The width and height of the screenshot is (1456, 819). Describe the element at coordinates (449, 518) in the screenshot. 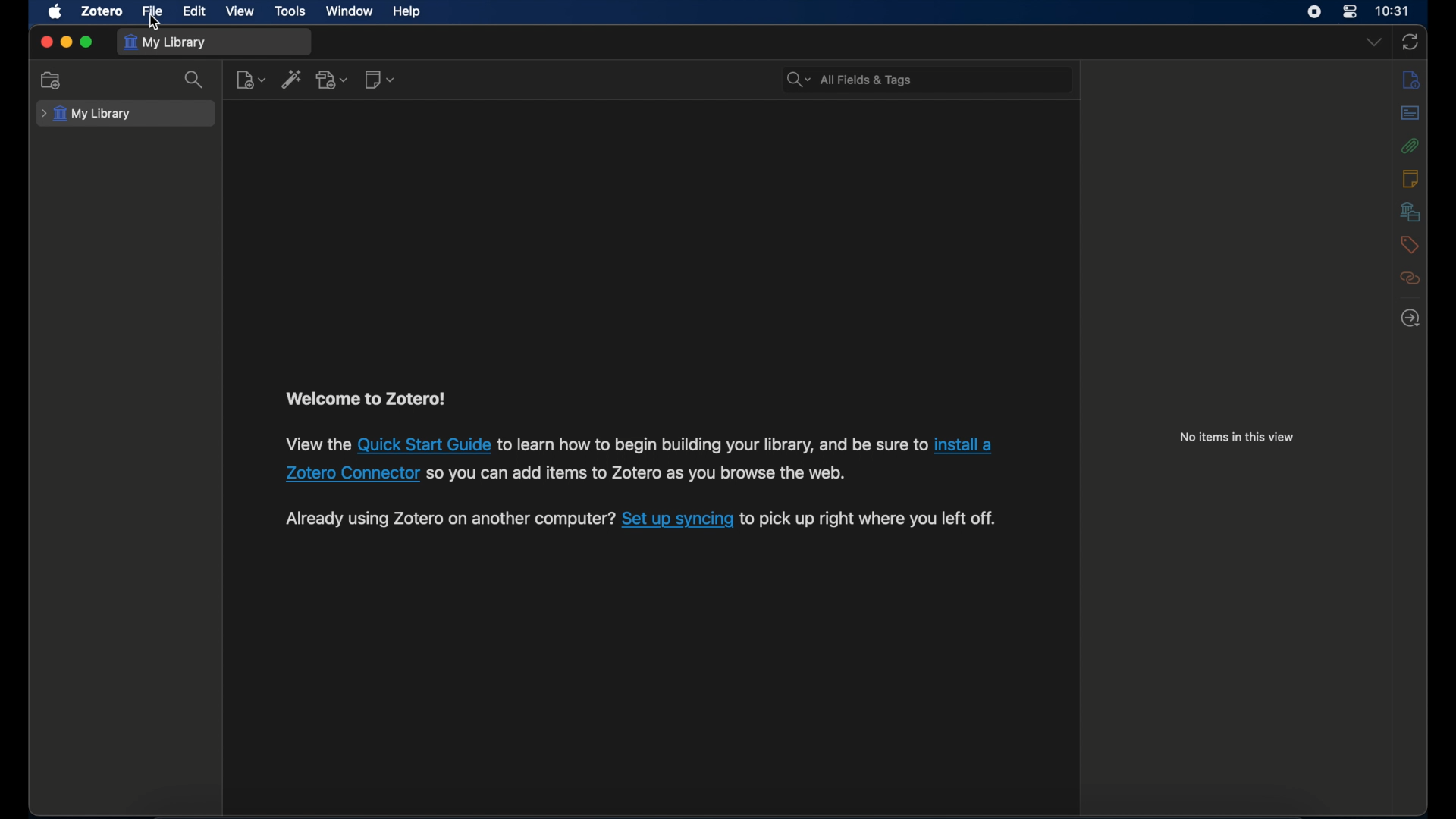

I see `text` at that location.